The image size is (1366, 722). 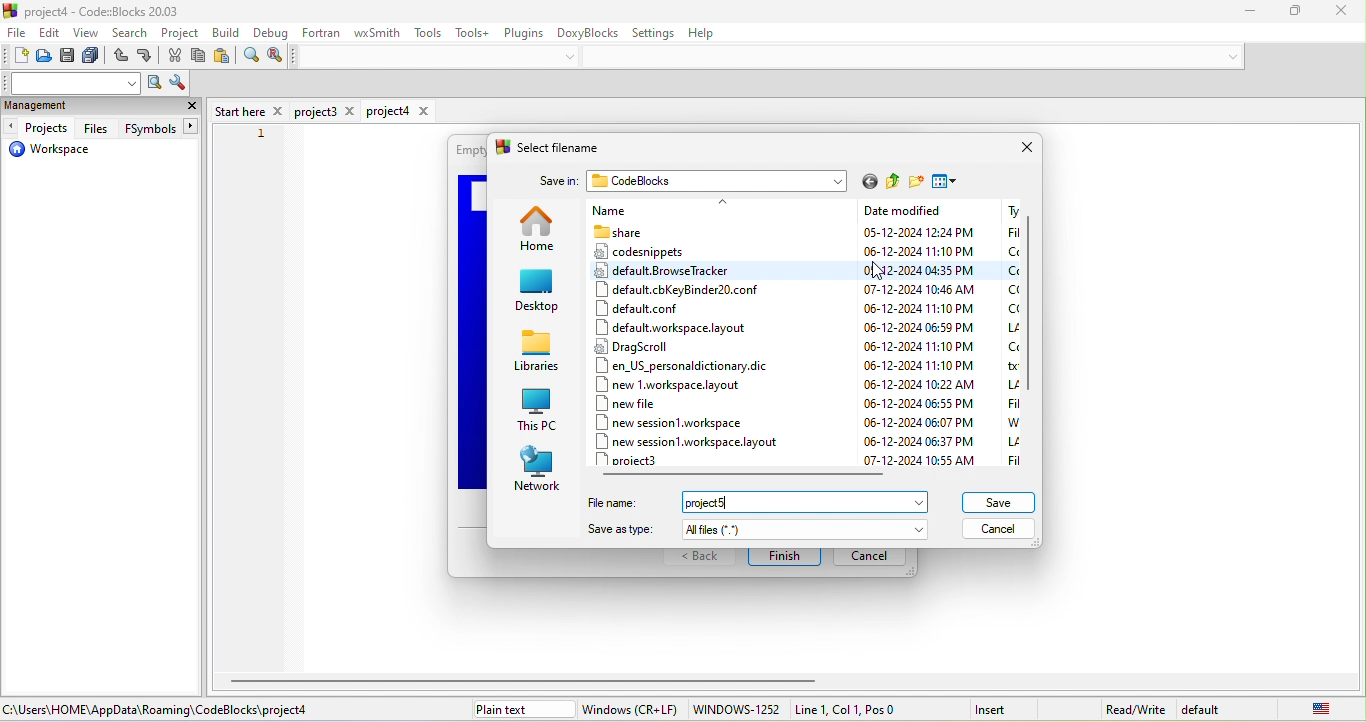 I want to click on tools, so click(x=430, y=33).